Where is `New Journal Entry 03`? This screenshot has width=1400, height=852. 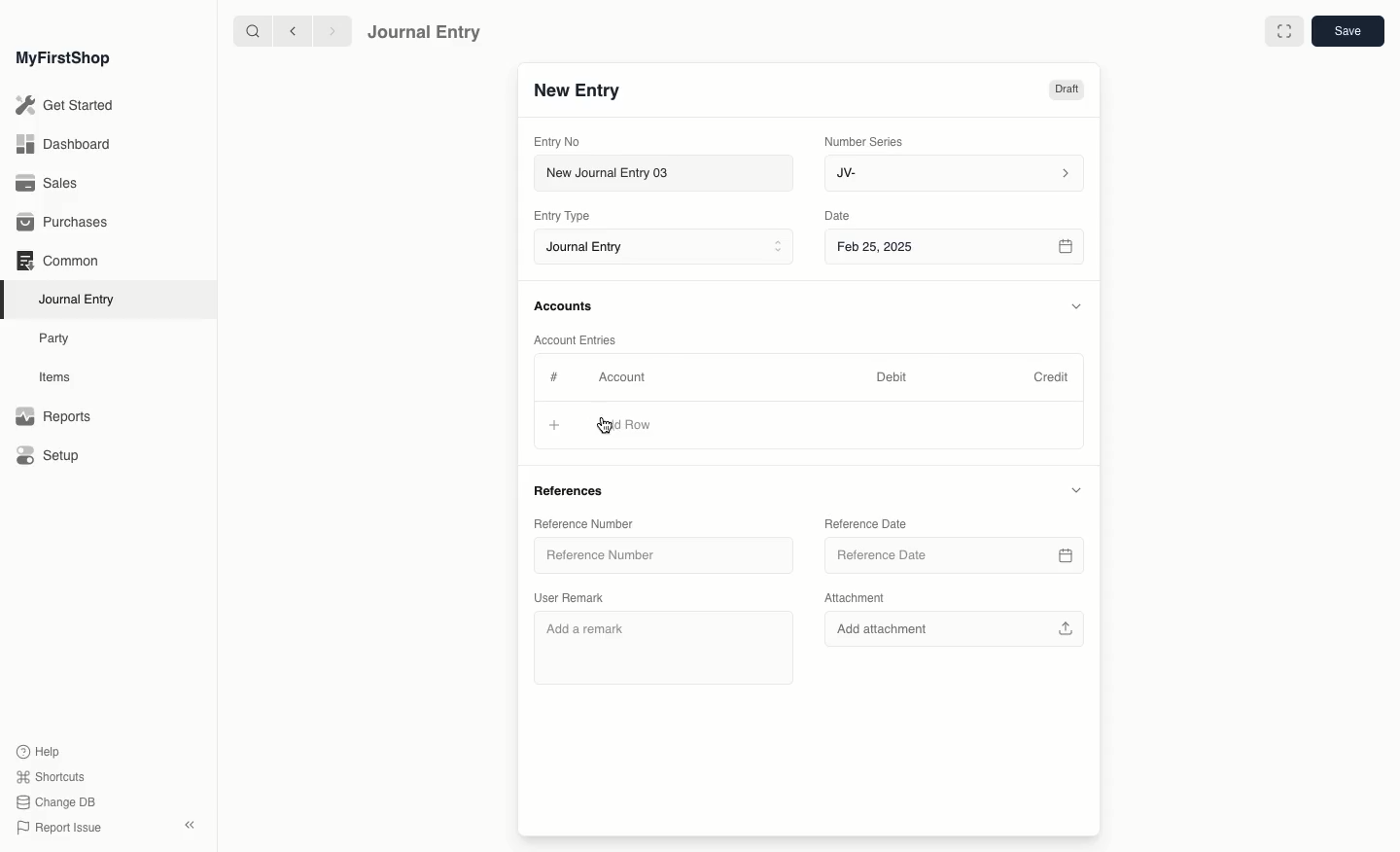
New Journal Entry 03 is located at coordinates (669, 174).